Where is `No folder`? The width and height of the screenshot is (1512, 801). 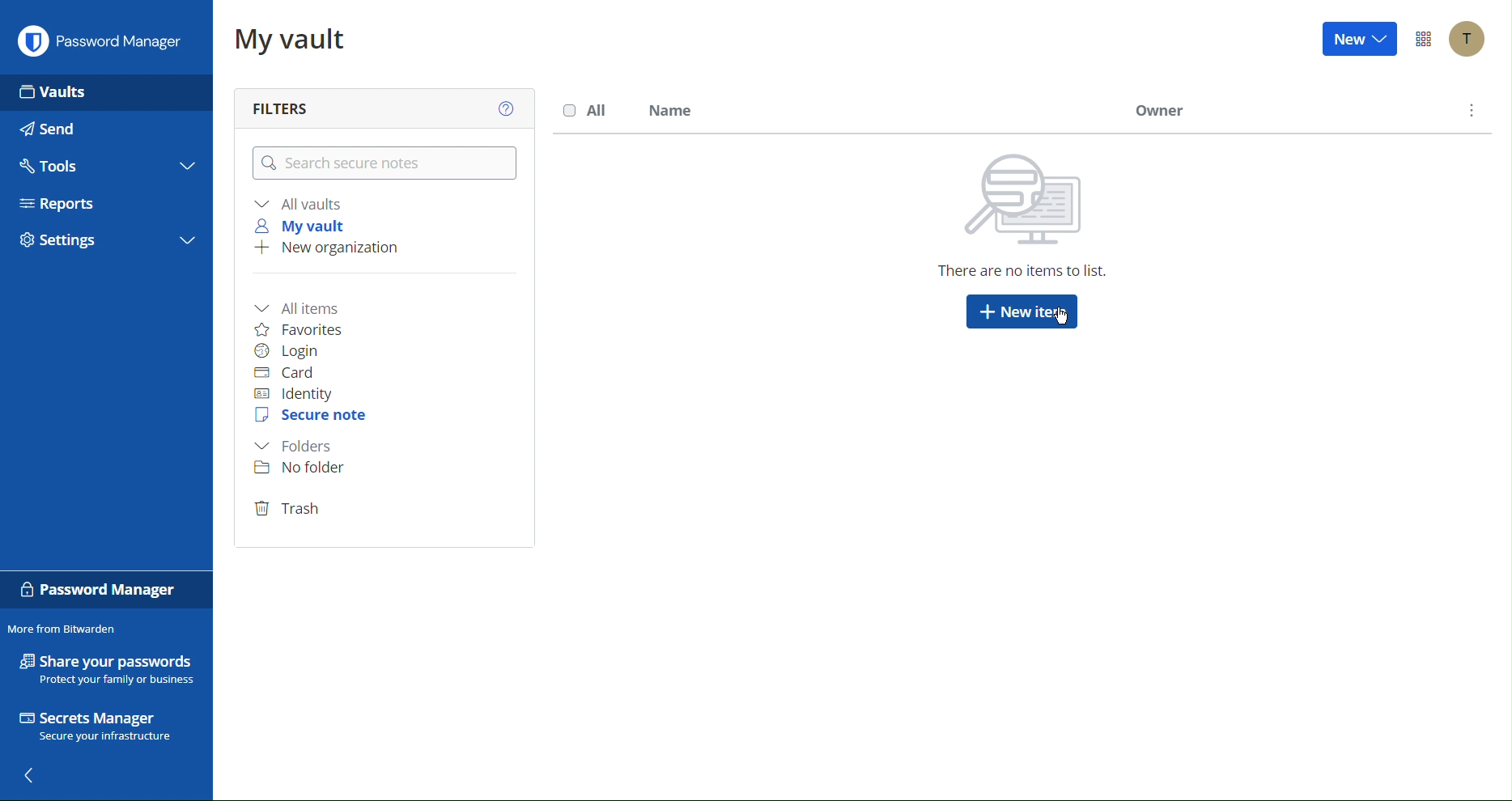
No folder is located at coordinates (298, 469).